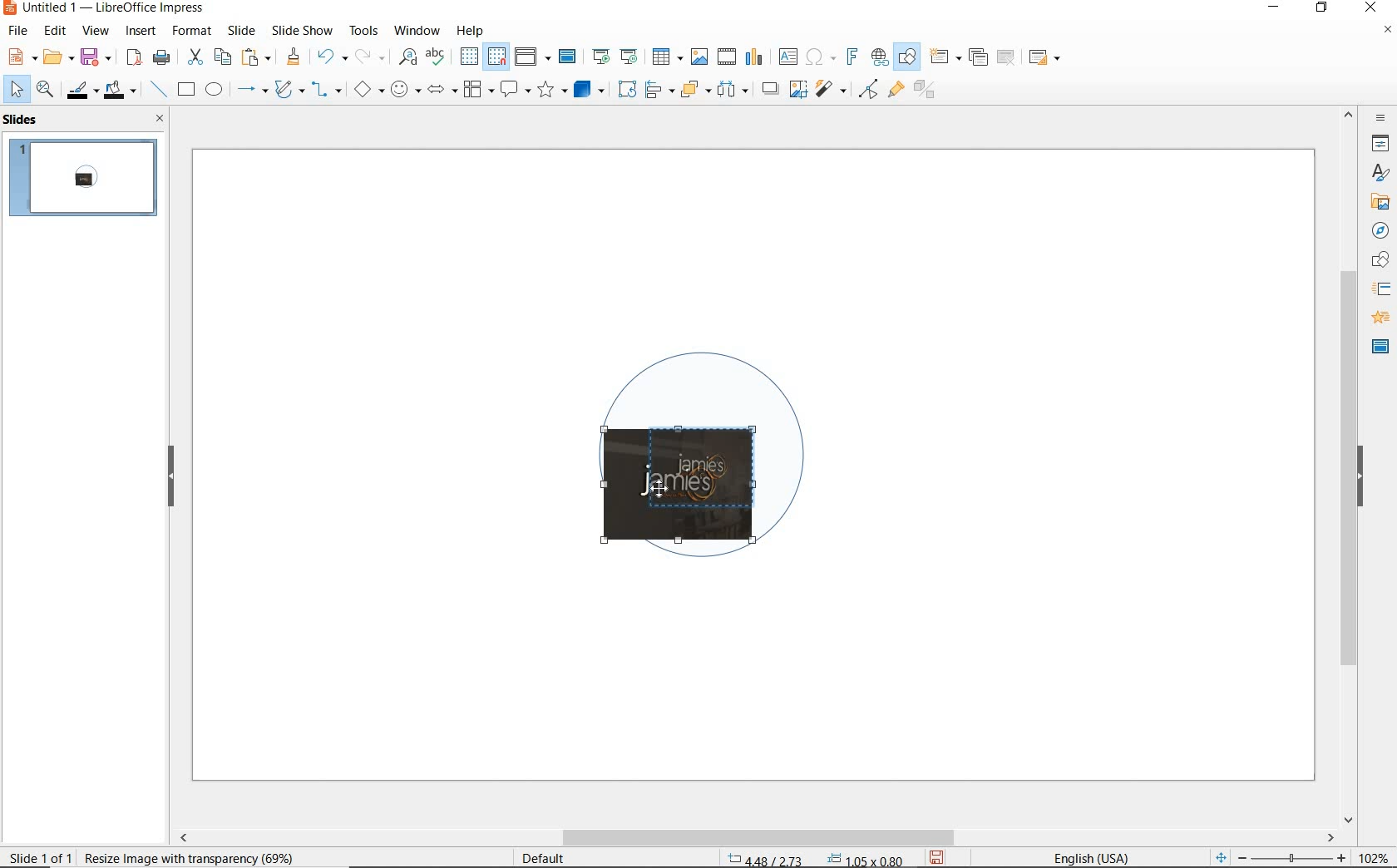  Describe the element at coordinates (171, 477) in the screenshot. I see `hide` at that location.